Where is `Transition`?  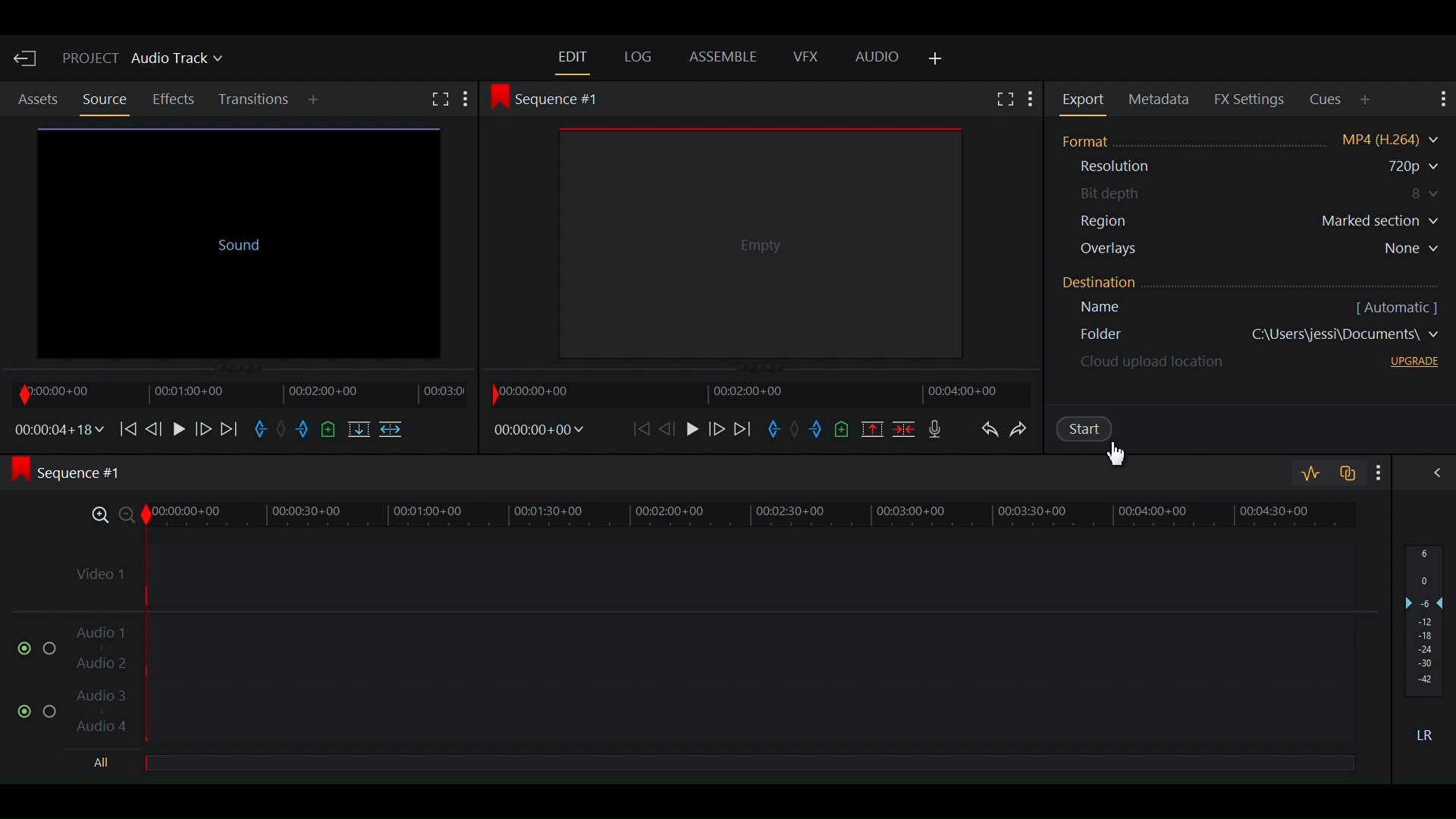 Transition is located at coordinates (256, 100).